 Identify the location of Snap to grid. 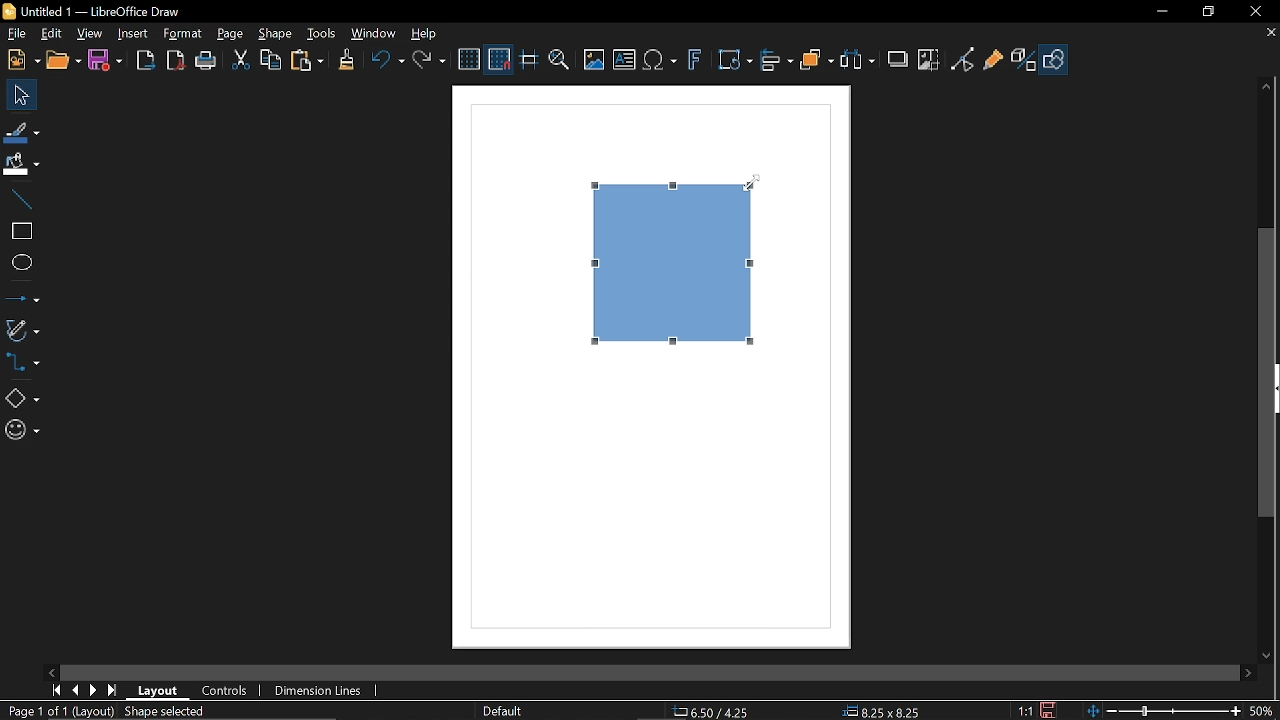
(500, 61).